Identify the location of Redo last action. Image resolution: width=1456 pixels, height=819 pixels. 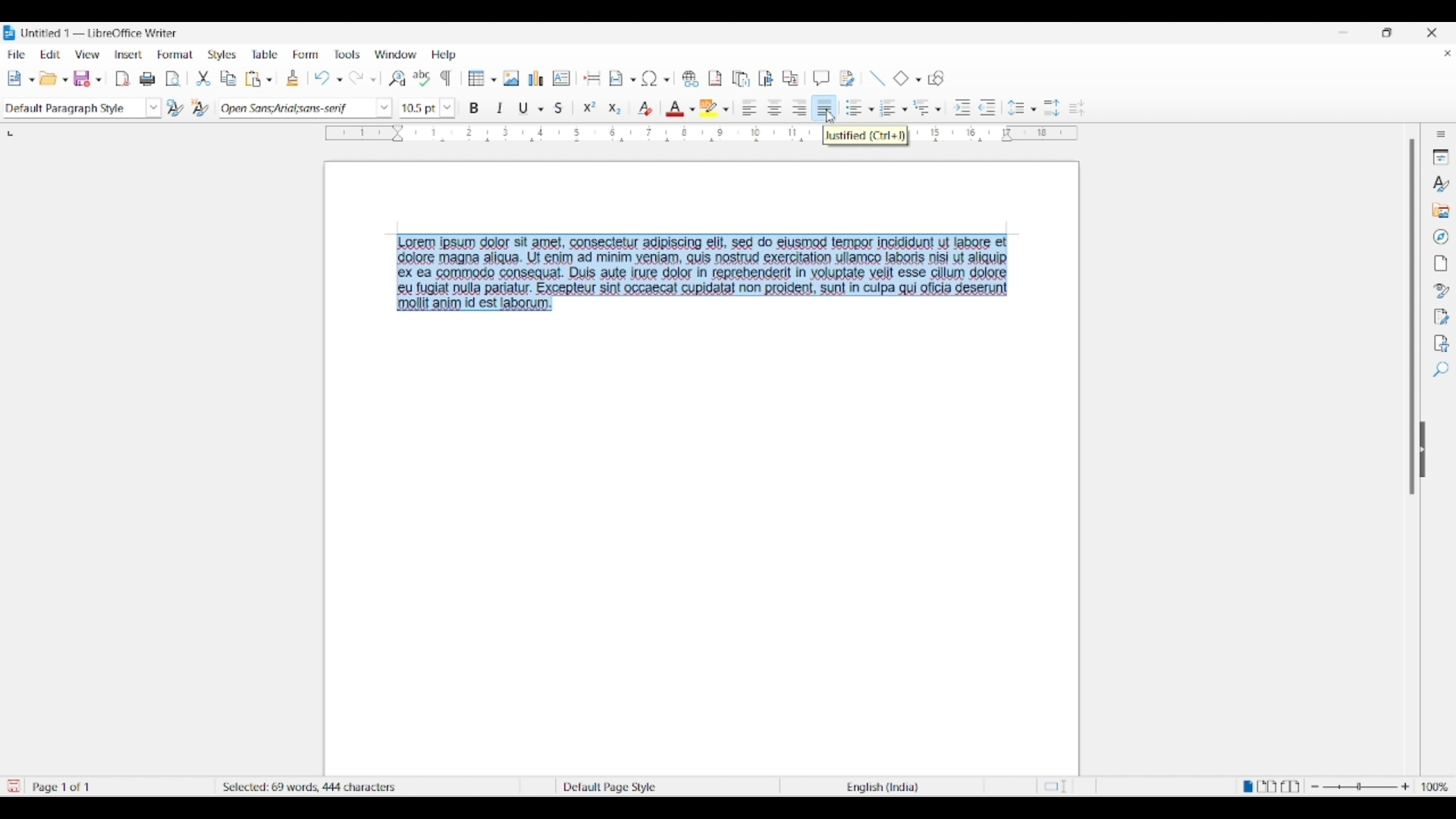
(356, 78).